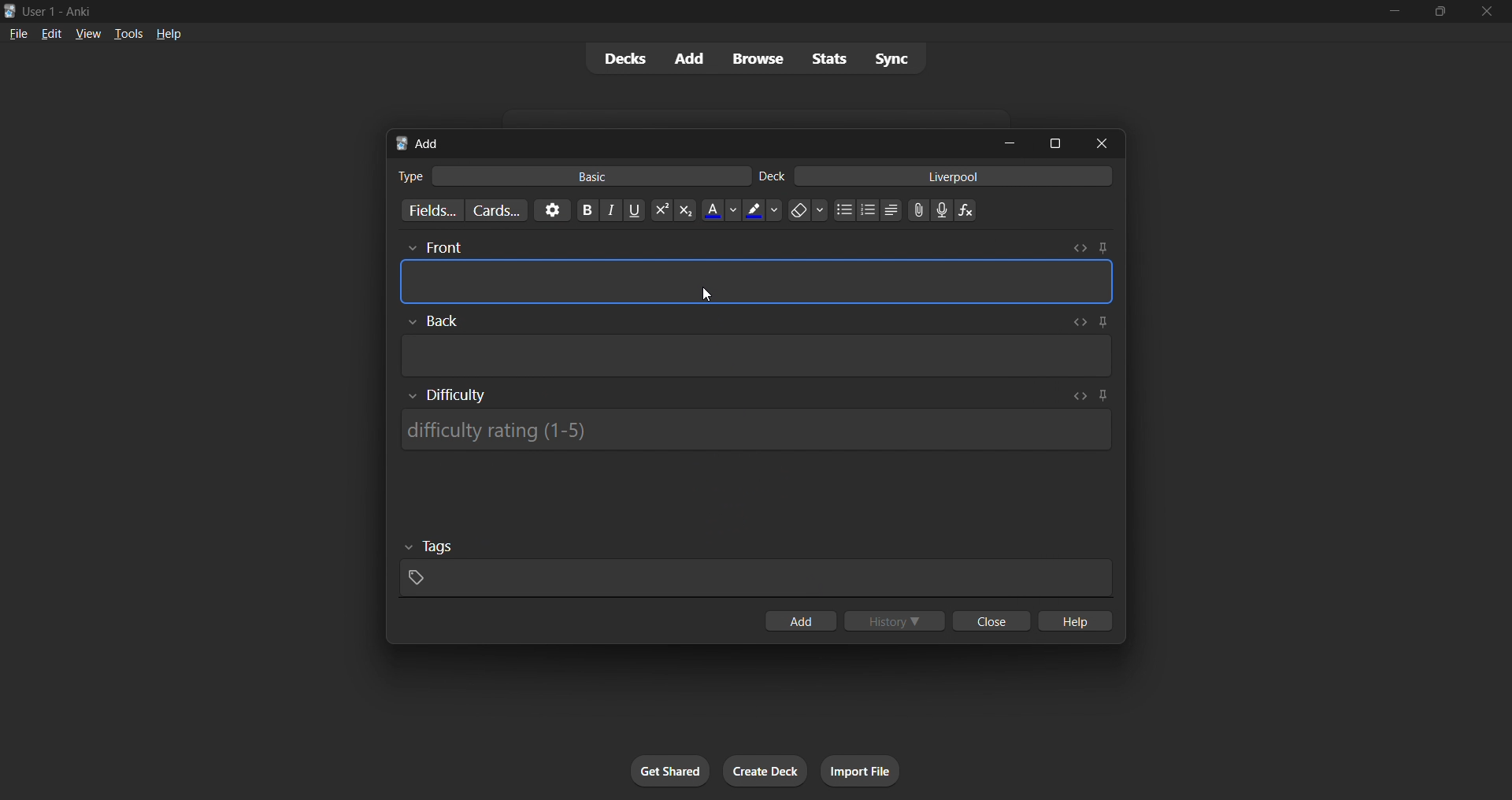  Describe the element at coordinates (706, 294) in the screenshot. I see `Cursor` at that location.